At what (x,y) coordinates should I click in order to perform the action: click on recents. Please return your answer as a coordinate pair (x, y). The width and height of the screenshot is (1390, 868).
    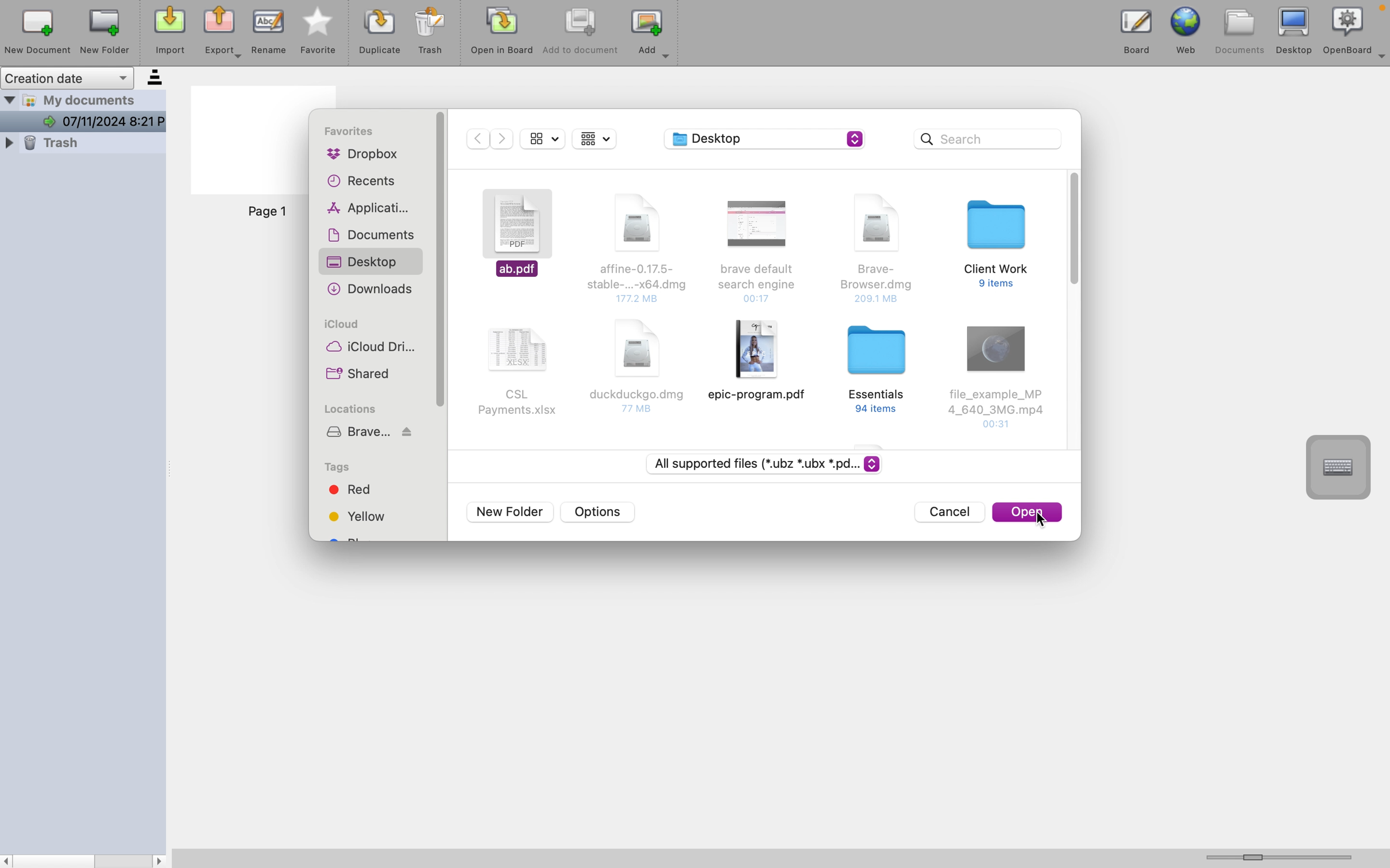
    Looking at the image, I should click on (361, 181).